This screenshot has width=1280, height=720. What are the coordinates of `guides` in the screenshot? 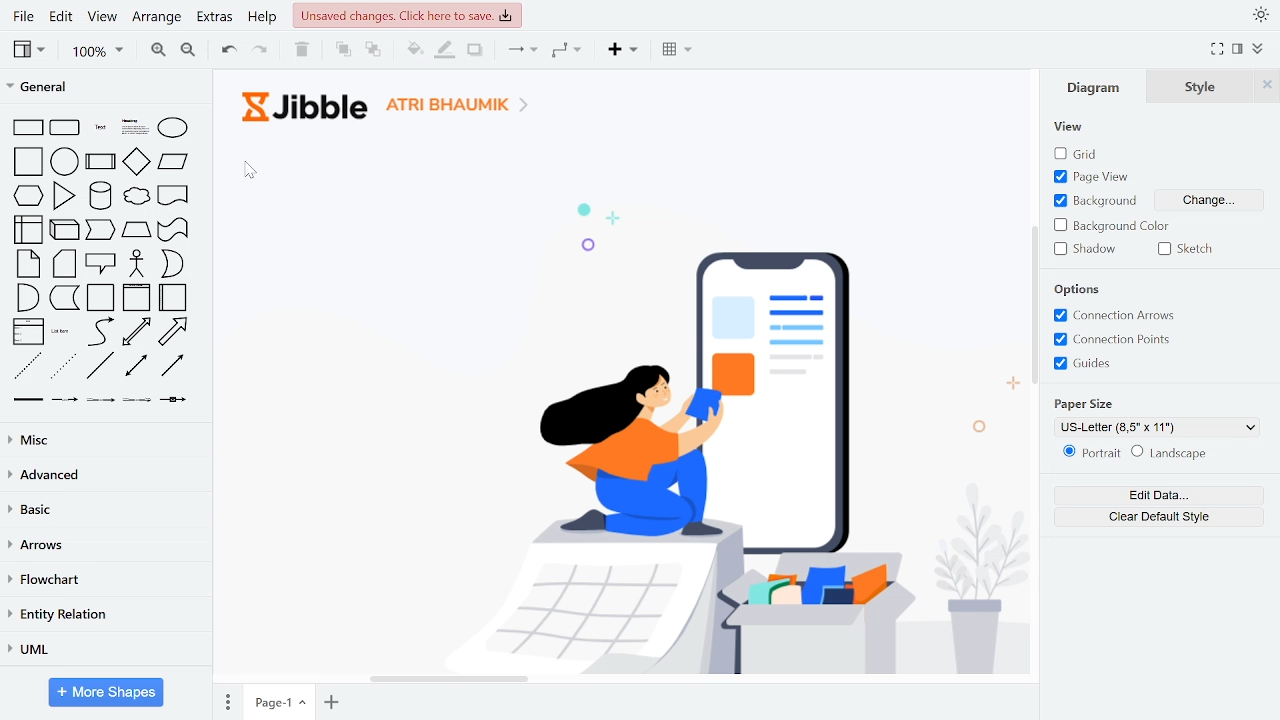 It's located at (1084, 364).